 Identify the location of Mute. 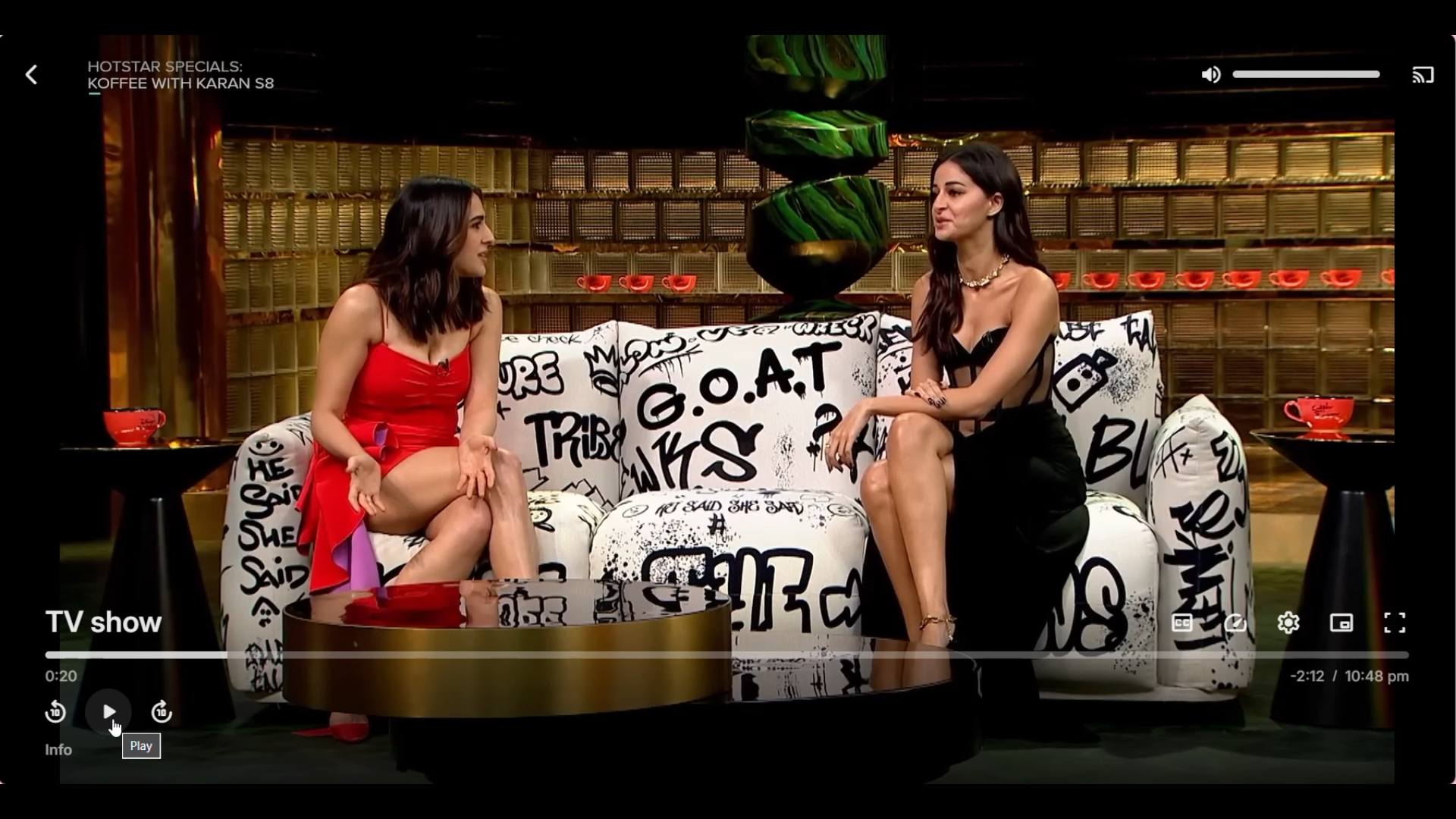
(1212, 75).